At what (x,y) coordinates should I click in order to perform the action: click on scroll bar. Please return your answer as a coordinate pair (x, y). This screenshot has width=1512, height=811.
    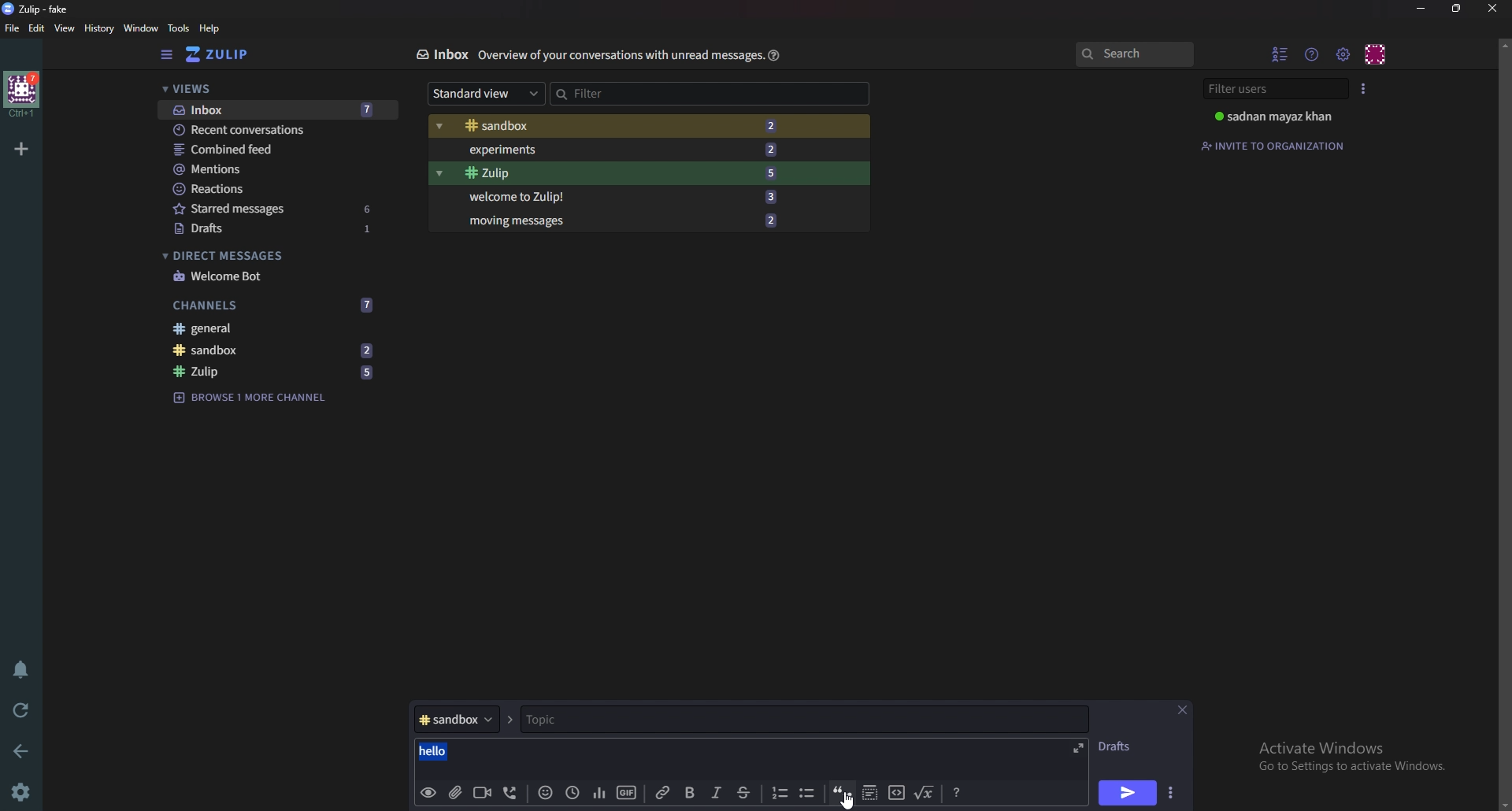
    Looking at the image, I should click on (1505, 423).